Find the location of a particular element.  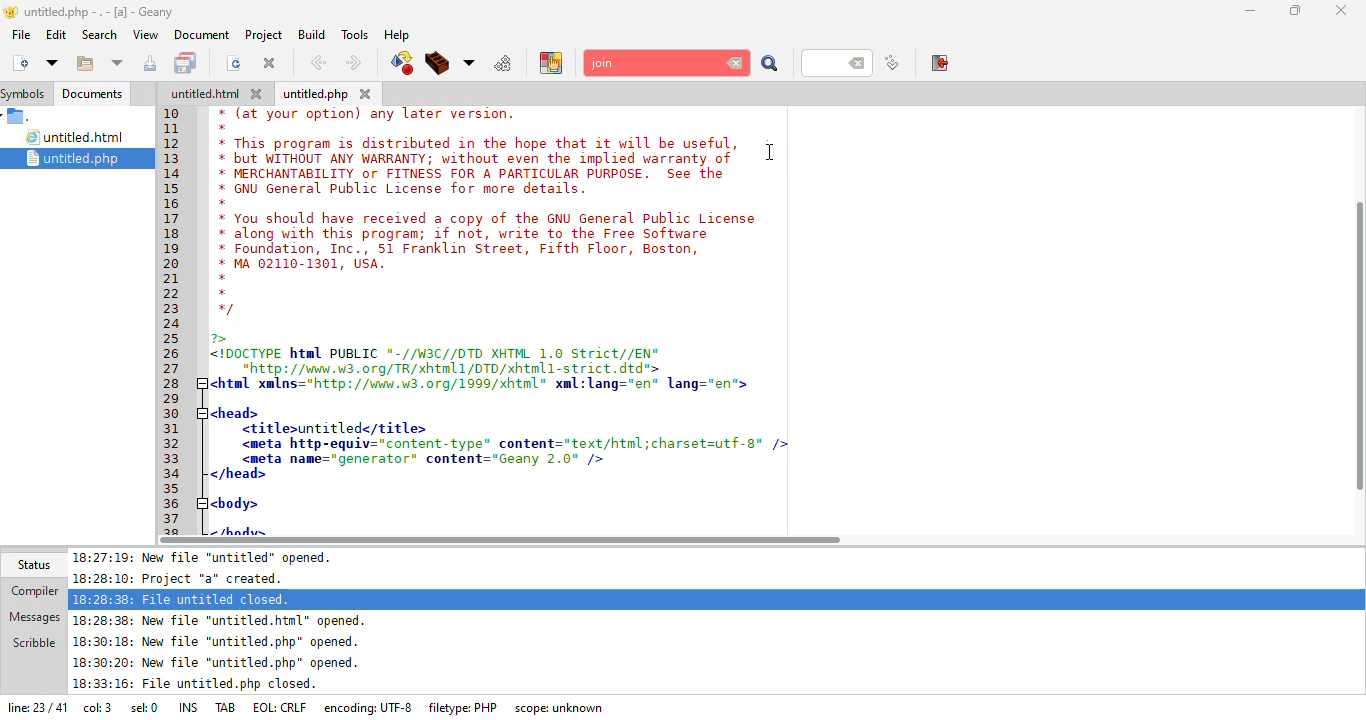

* GNU General Public License for more details. is located at coordinates (404, 190).